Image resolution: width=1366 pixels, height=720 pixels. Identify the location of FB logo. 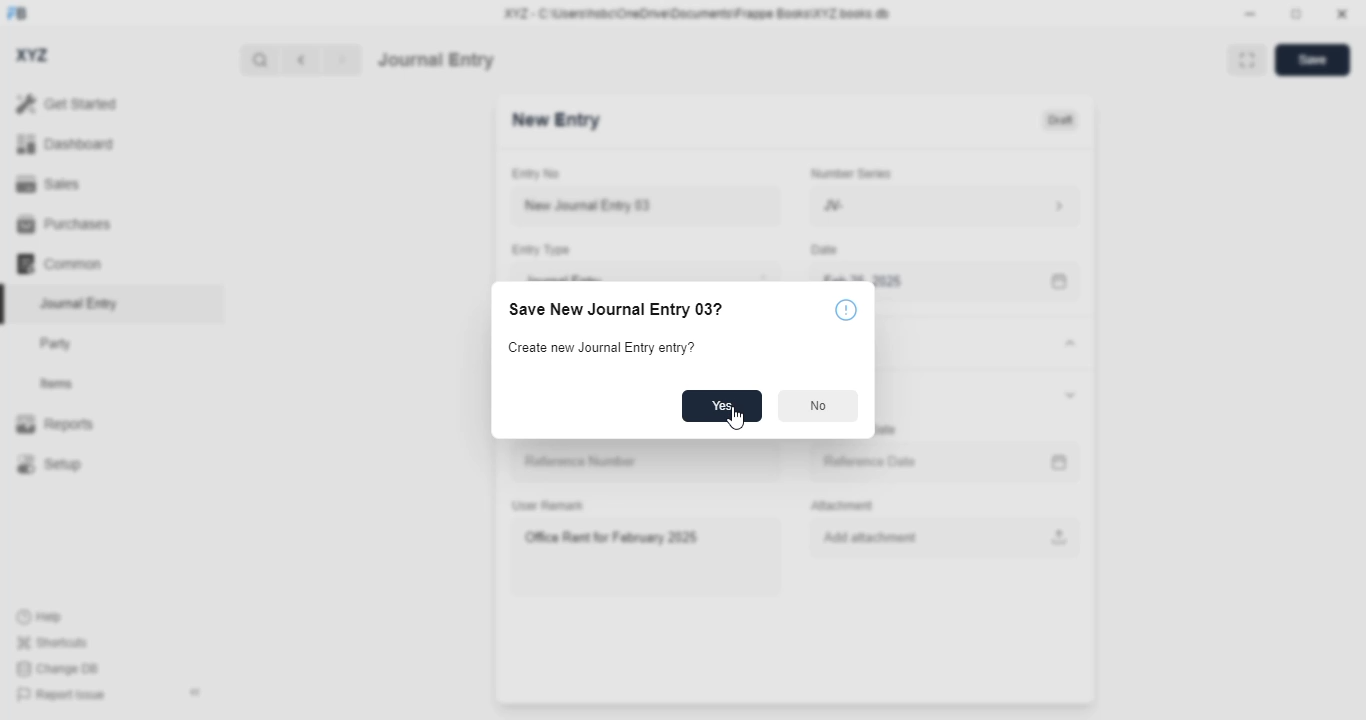
(17, 12).